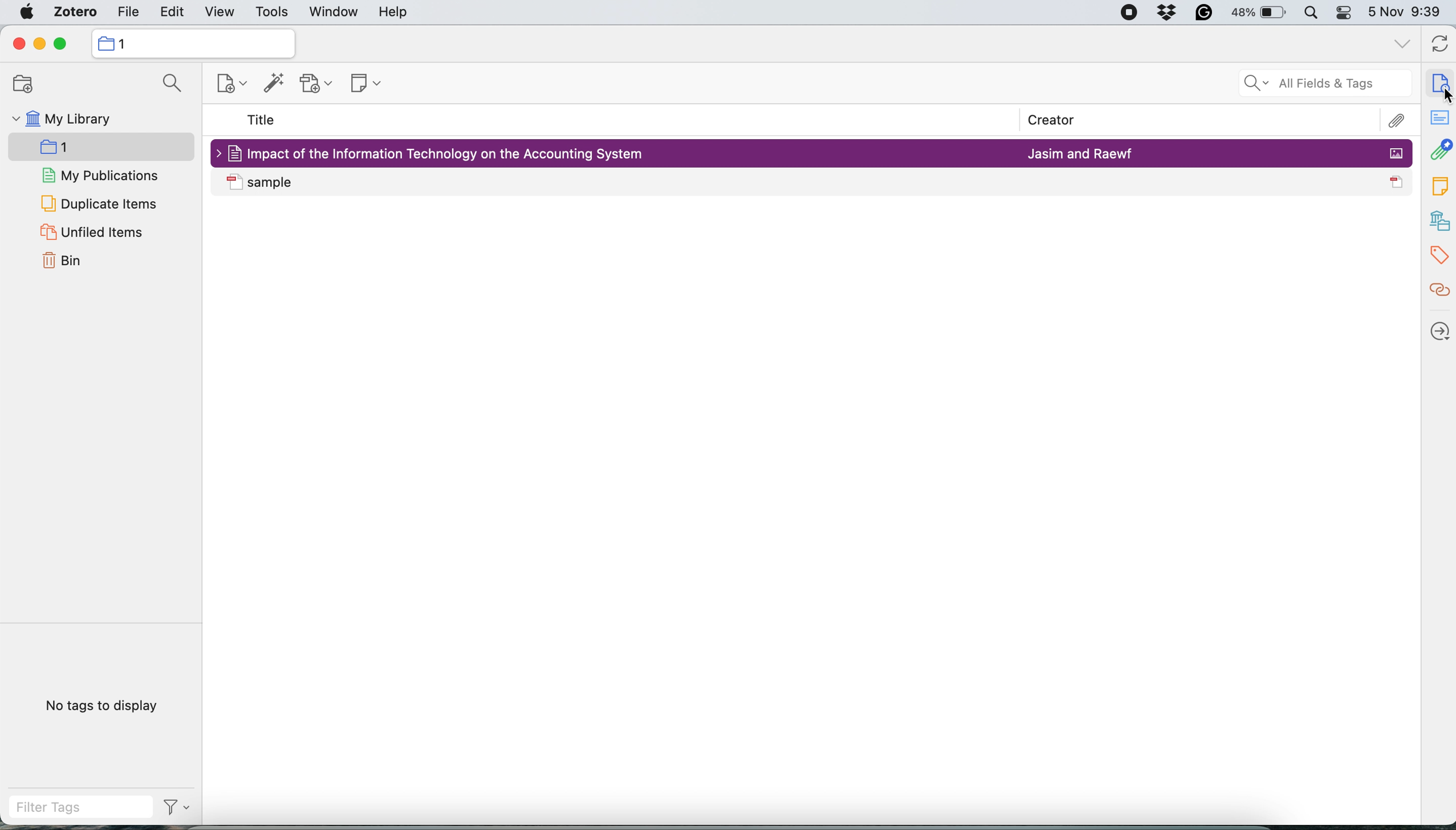  What do you see at coordinates (1402, 47) in the screenshot?
I see `list all tabs` at bounding box center [1402, 47].